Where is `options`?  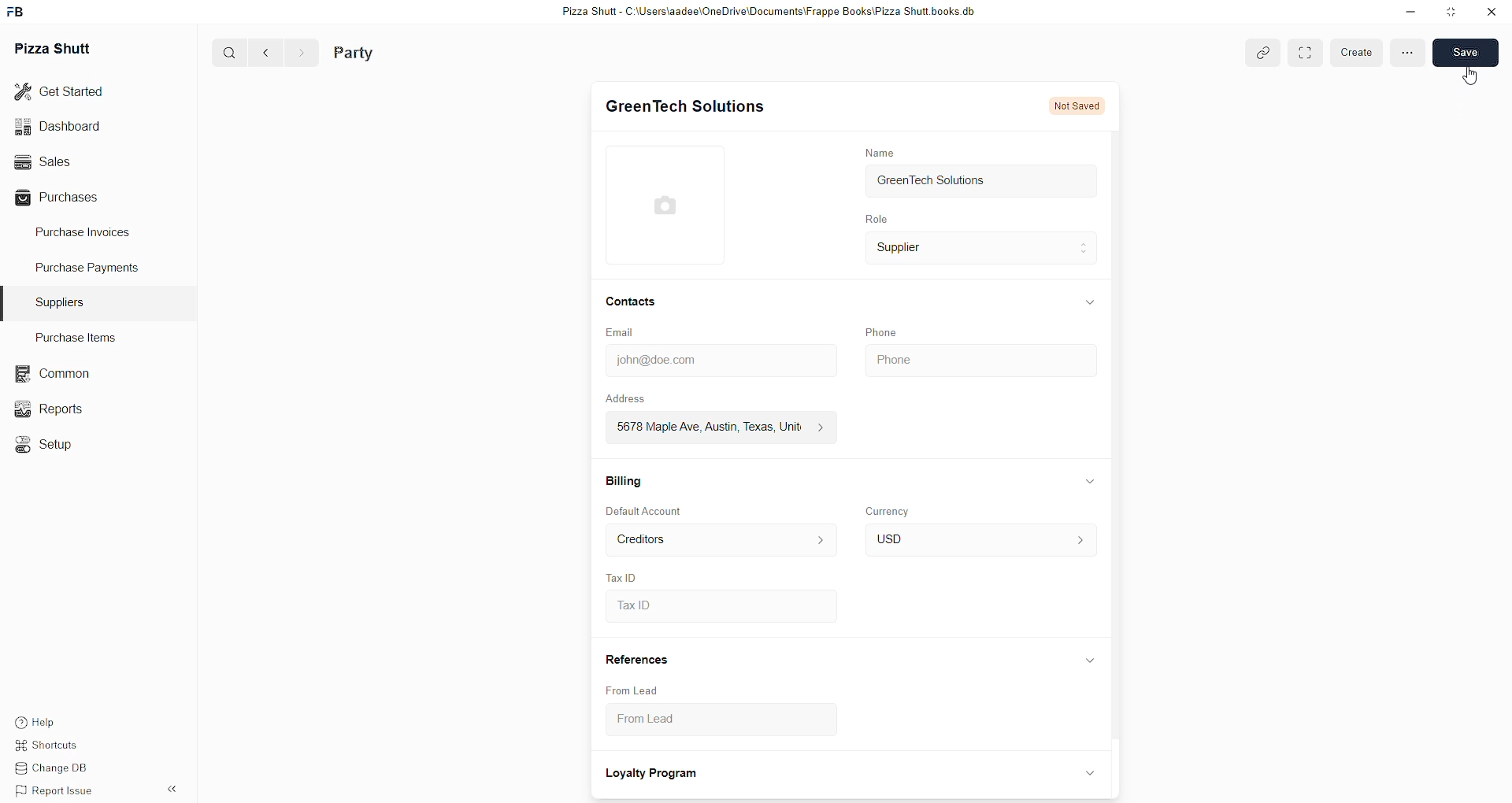
options is located at coordinates (1408, 52).